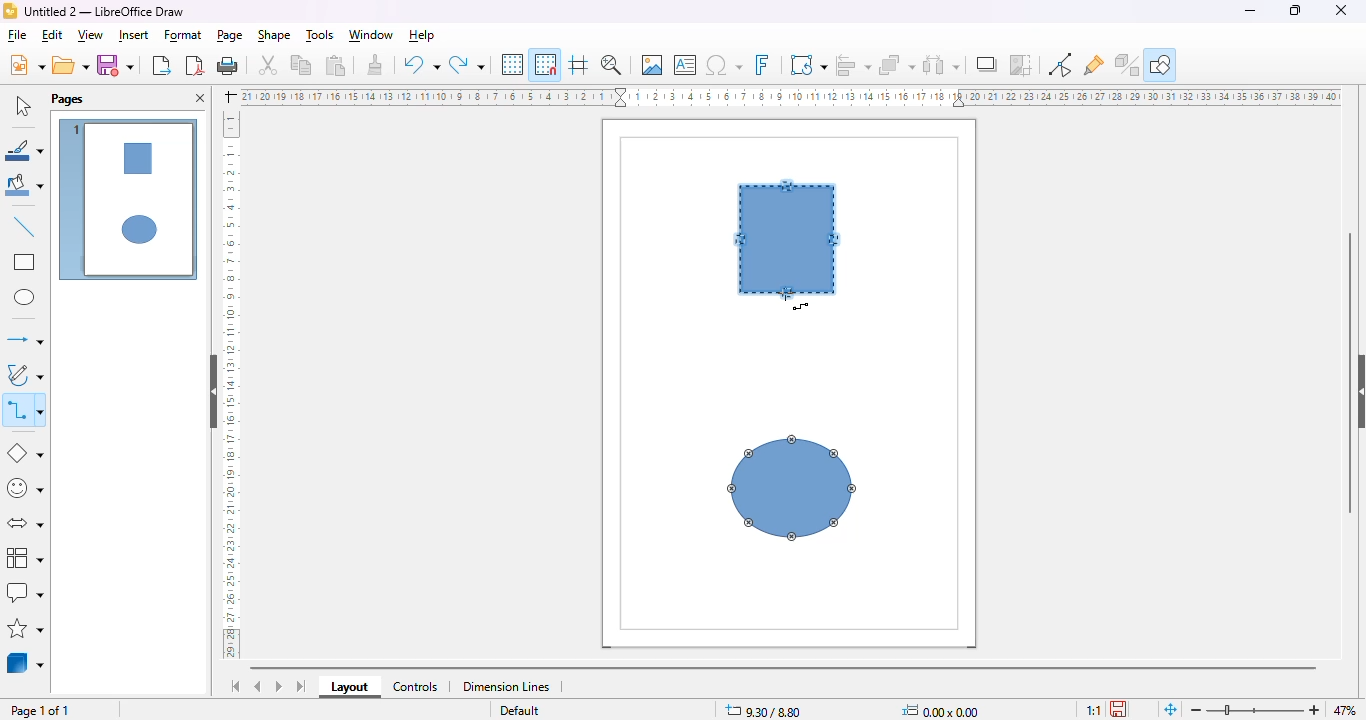 The height and width of the screenshot is (720, 1366). What do you see at coordinates (71, 64) in the screenshot?
I see `open` at bounding box center [71, 64].